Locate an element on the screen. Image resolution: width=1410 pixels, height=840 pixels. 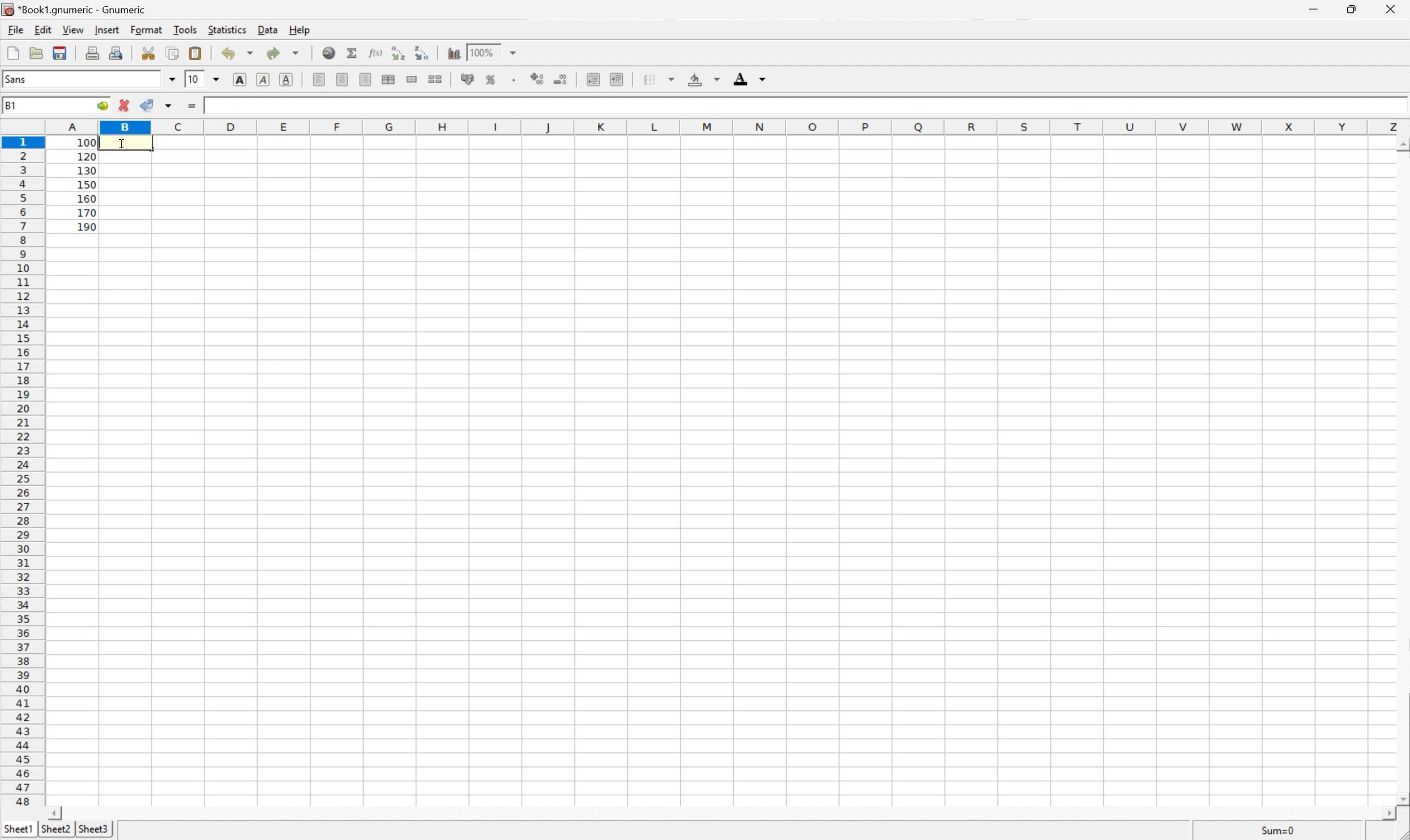
Data is located at coordinates (267, 28).